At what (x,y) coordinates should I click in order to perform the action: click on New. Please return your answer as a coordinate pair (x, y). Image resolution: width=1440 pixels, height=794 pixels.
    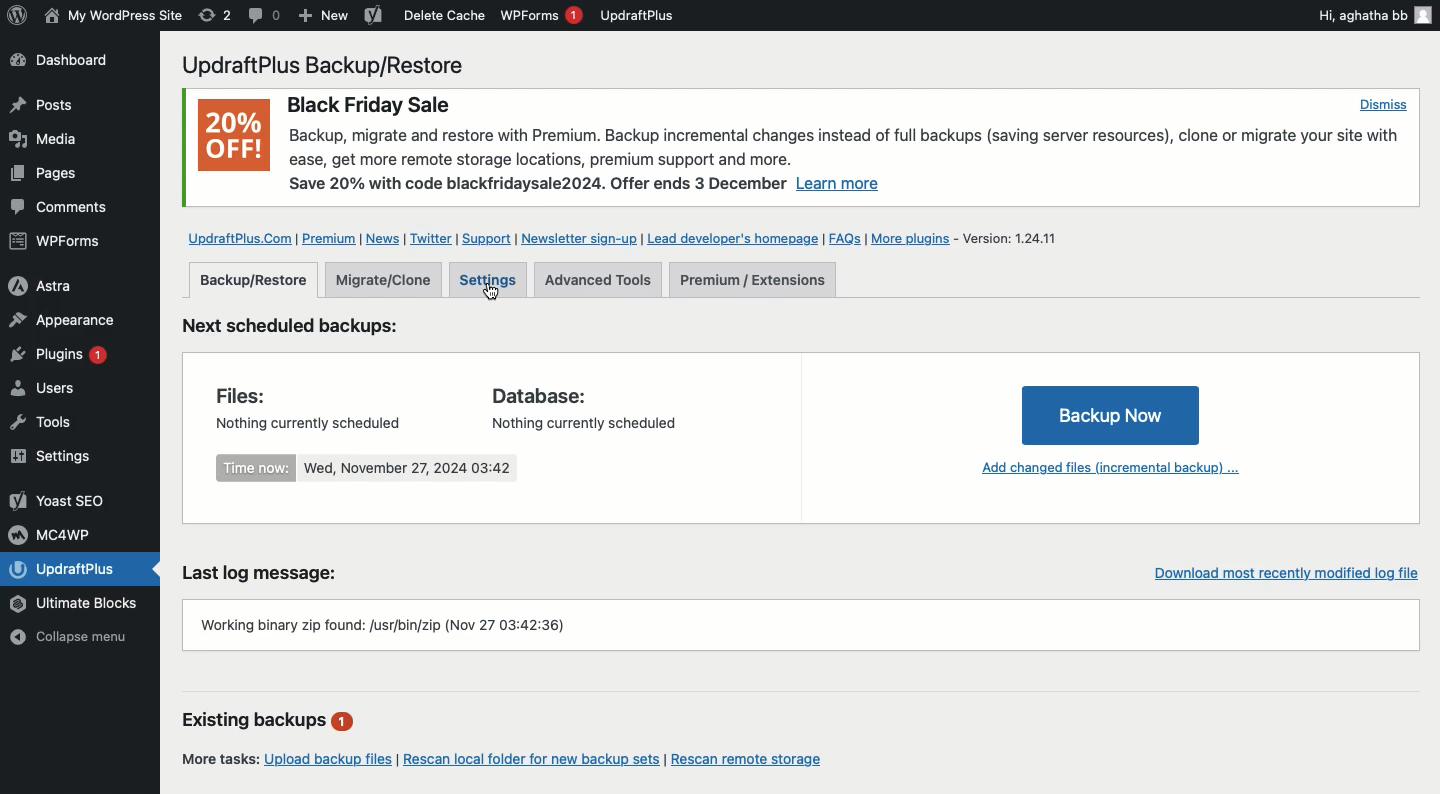
    Looking at the image, I should click on (324, 17).